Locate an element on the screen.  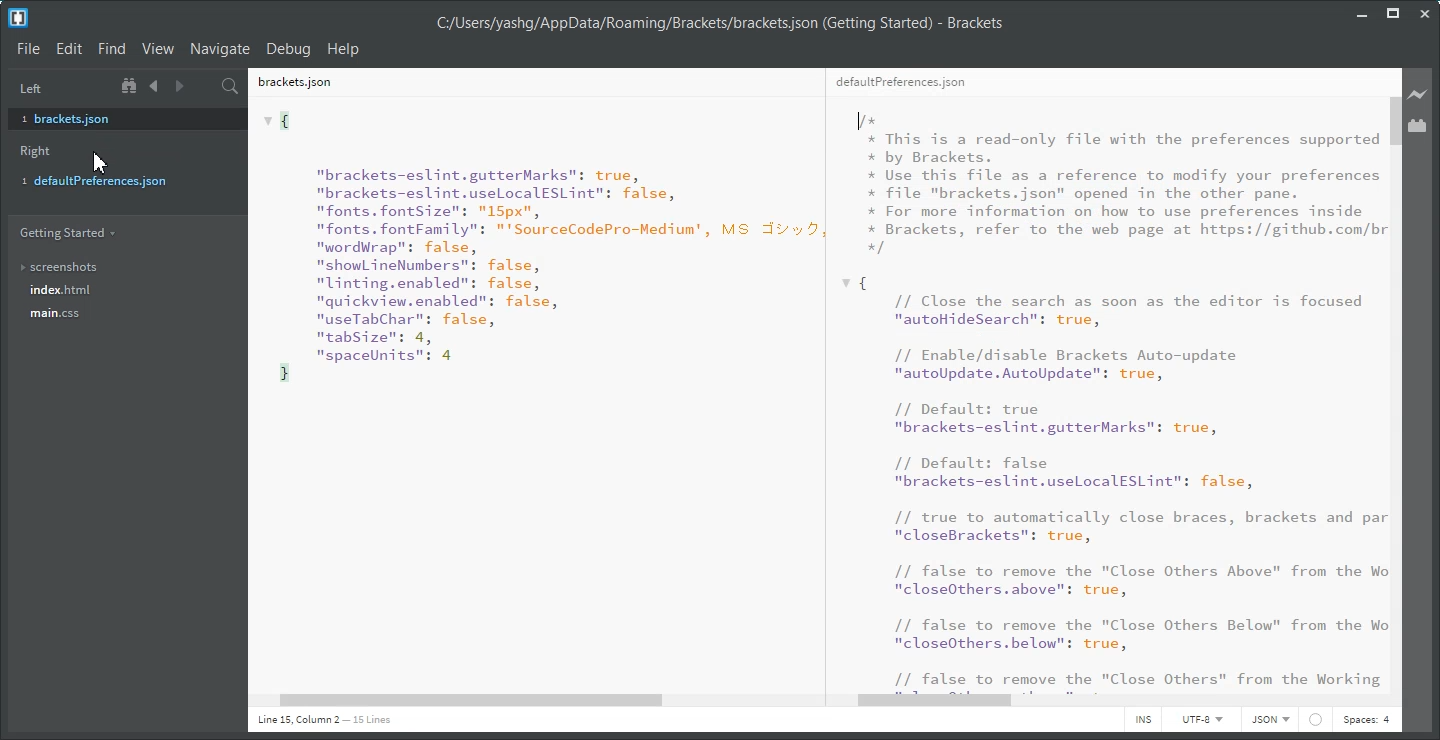
Navigate Backward is located at coordinates (154, 86).